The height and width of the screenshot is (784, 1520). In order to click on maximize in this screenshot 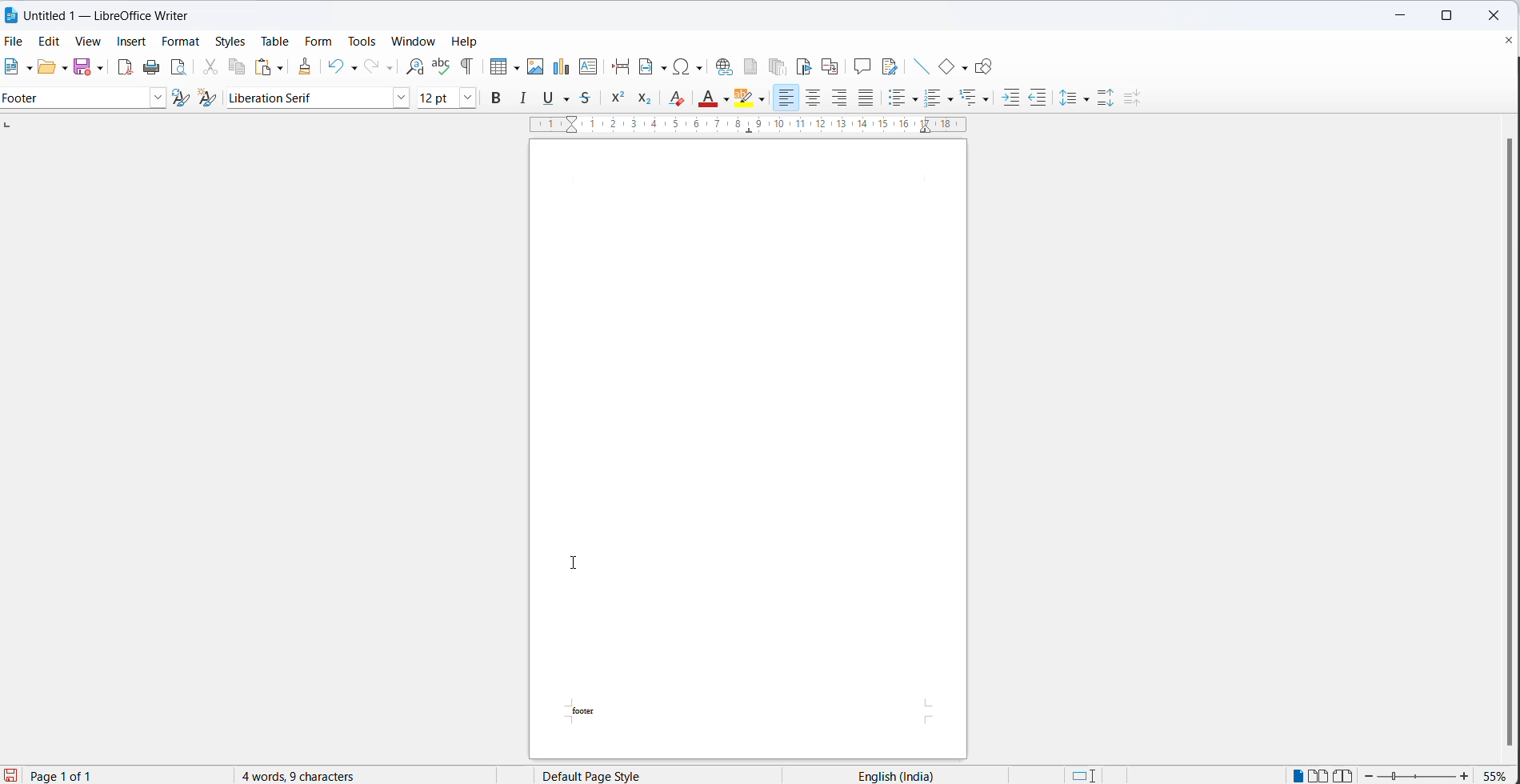, I will do `click(1446, 18)`.